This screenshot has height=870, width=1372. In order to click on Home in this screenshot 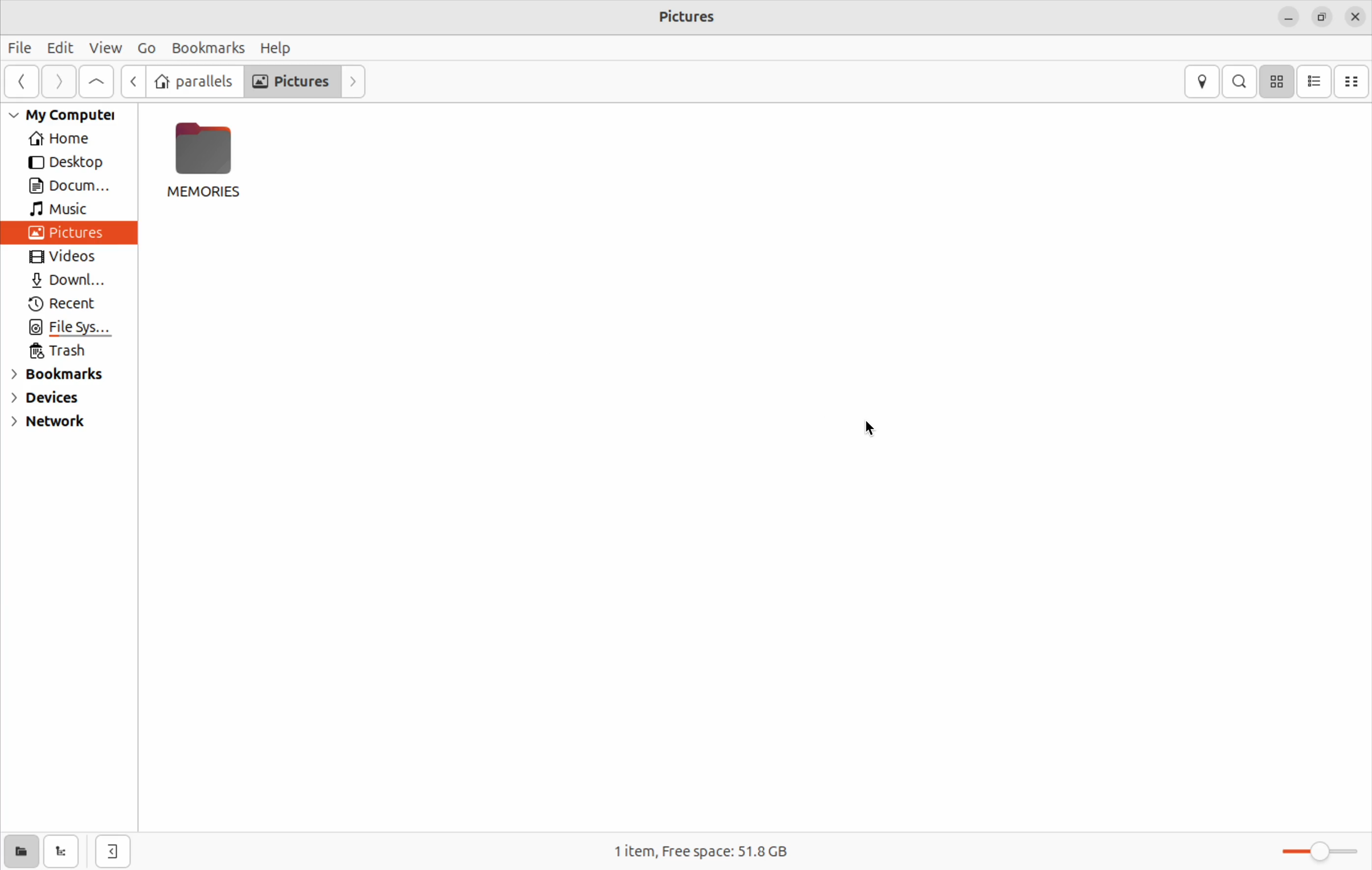, I will do `click(64, 139)`.